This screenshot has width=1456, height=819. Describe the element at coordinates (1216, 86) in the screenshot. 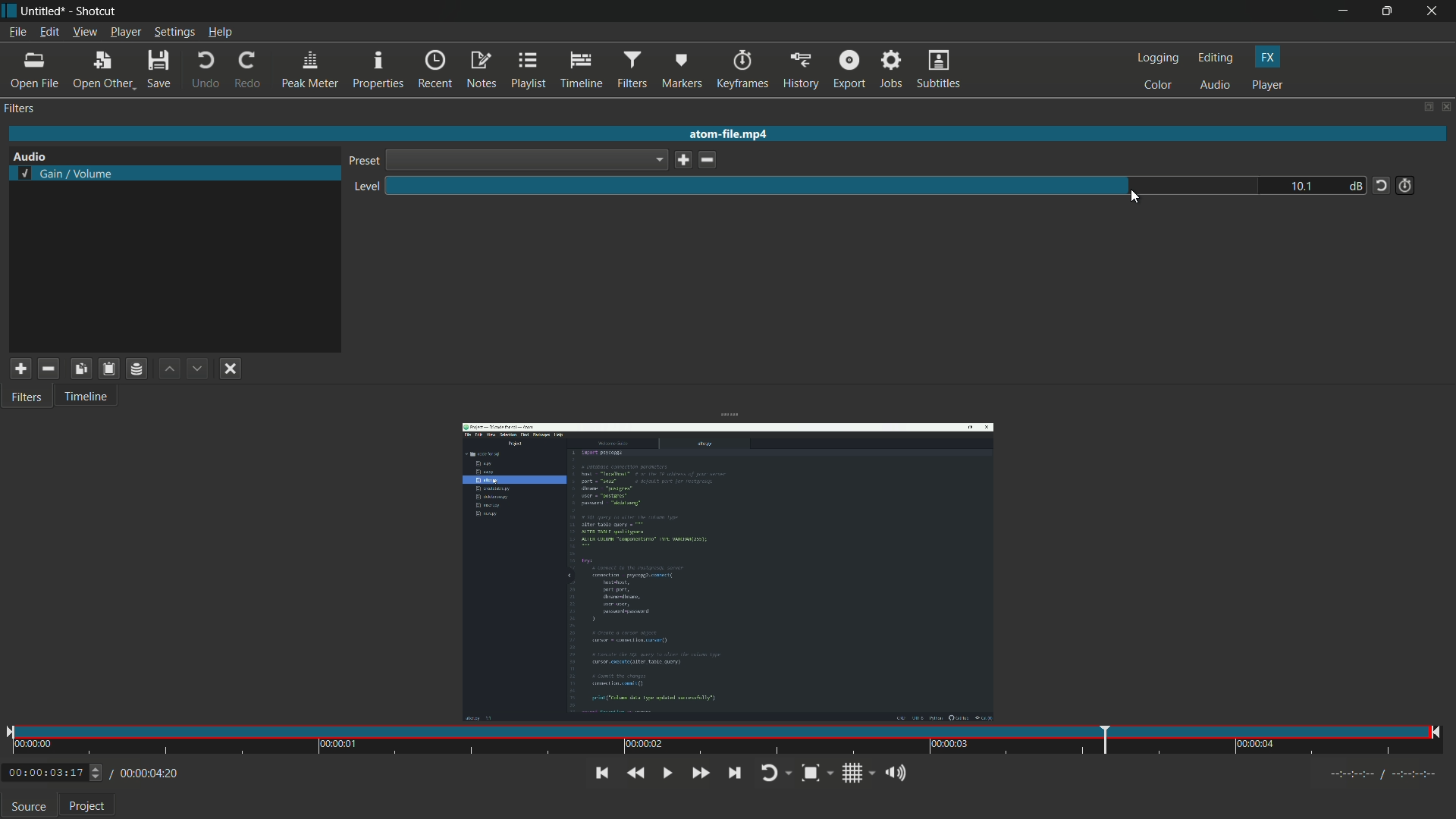

I see `audio` at that location.